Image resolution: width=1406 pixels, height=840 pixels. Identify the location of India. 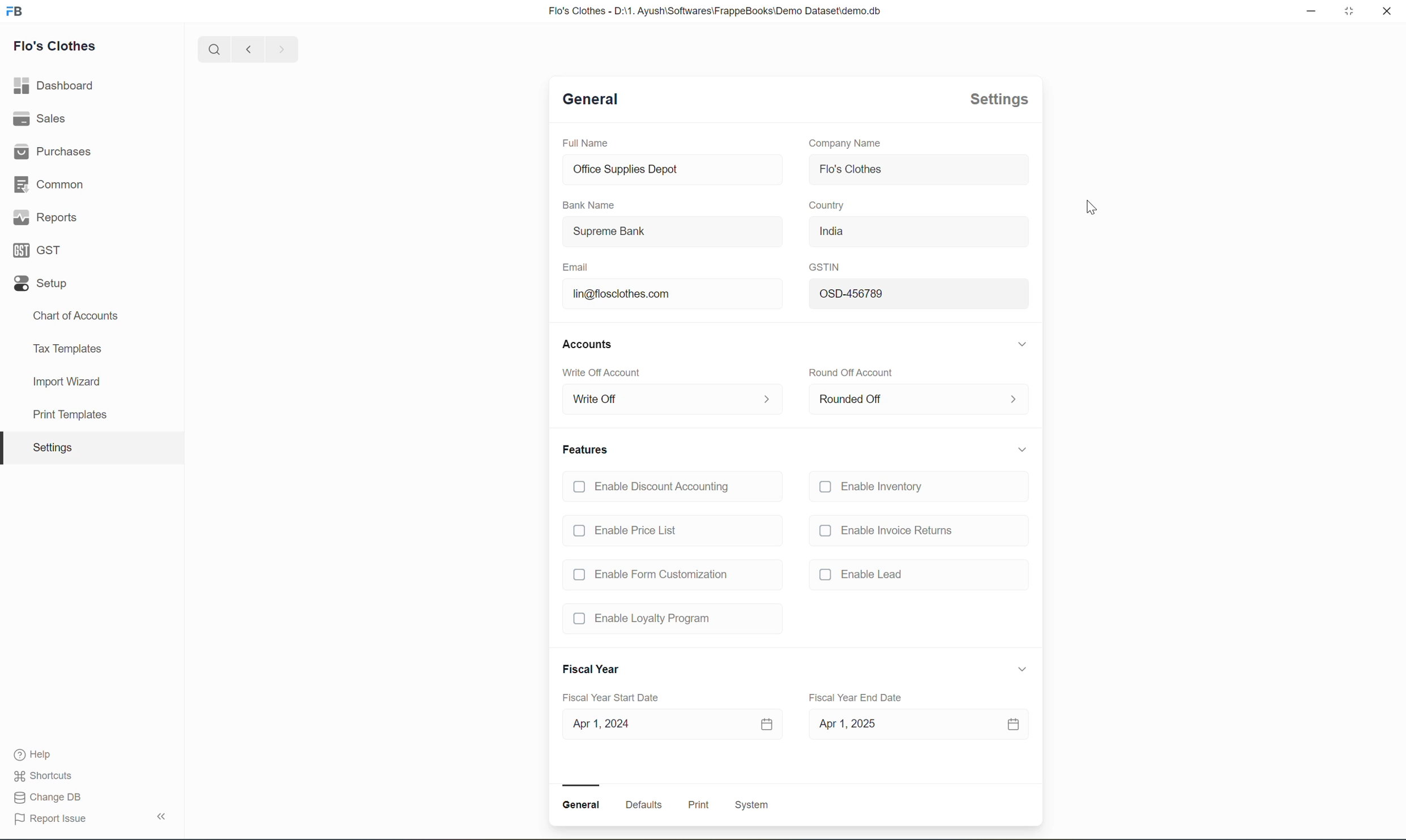
(918, 232).